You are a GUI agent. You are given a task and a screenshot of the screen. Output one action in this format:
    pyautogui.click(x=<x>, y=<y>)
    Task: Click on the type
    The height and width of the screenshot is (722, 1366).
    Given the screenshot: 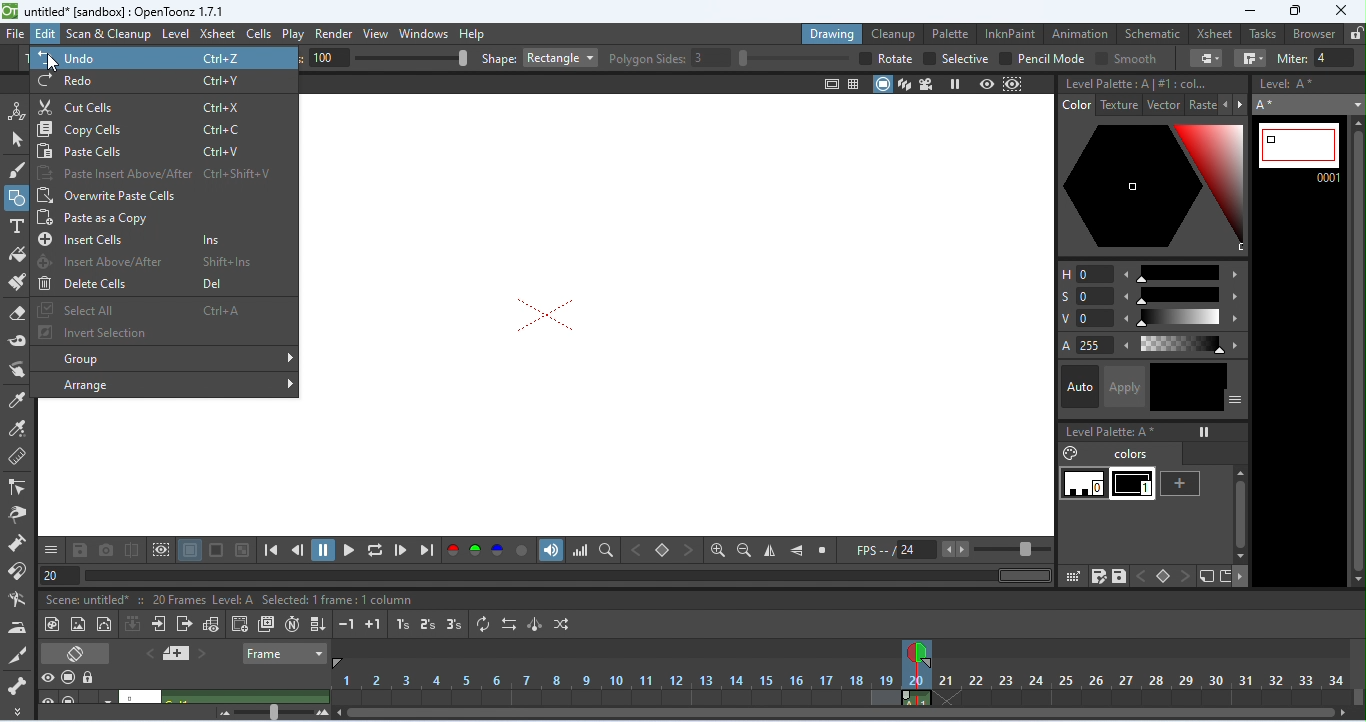 What is the action you would take?
    pyautogui.click(x=17, y=226)
    